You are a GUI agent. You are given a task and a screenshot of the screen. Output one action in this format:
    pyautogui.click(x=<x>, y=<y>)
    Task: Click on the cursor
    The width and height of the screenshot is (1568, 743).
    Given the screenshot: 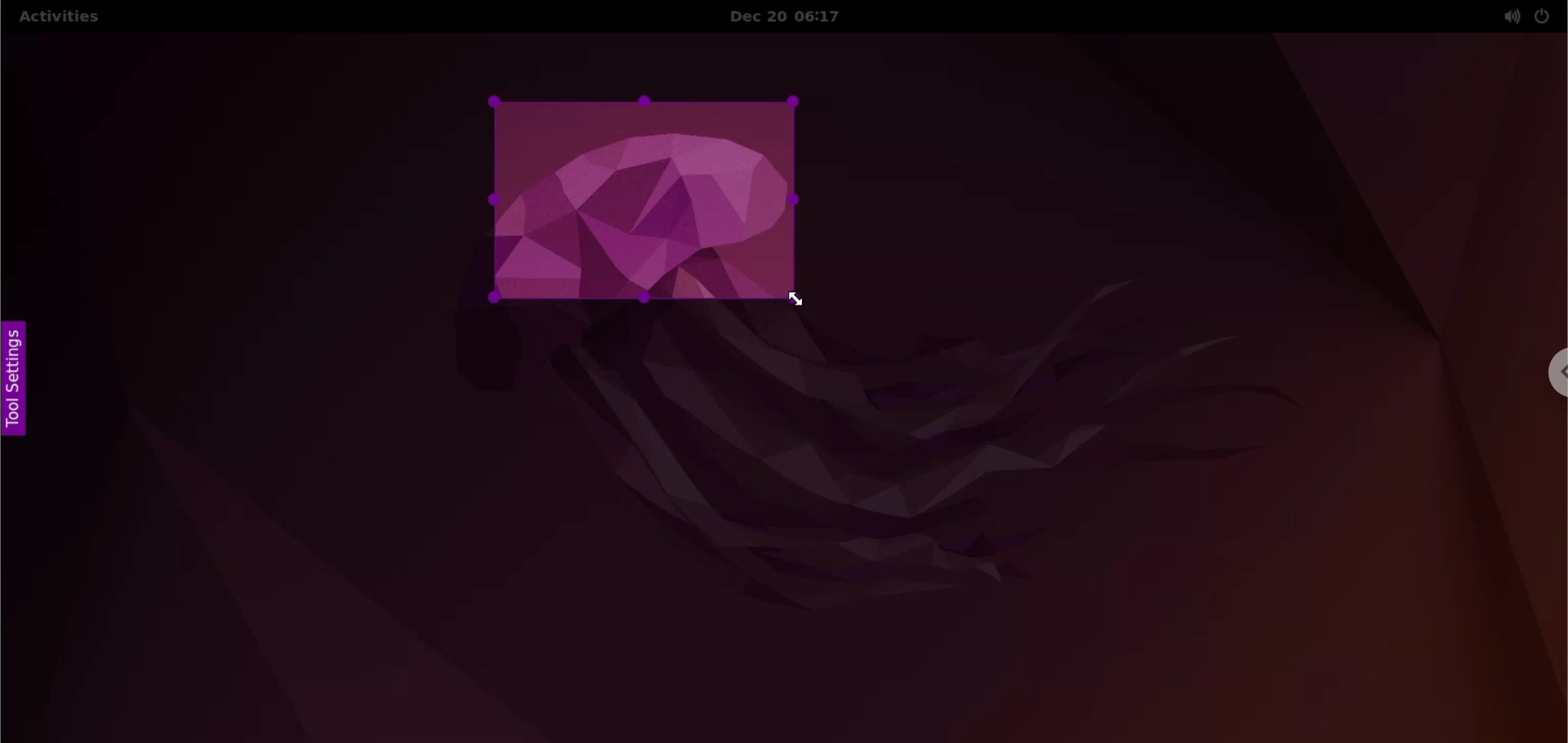 What is the action you would take?
    pyautogui.click(x=808, y=305)
    